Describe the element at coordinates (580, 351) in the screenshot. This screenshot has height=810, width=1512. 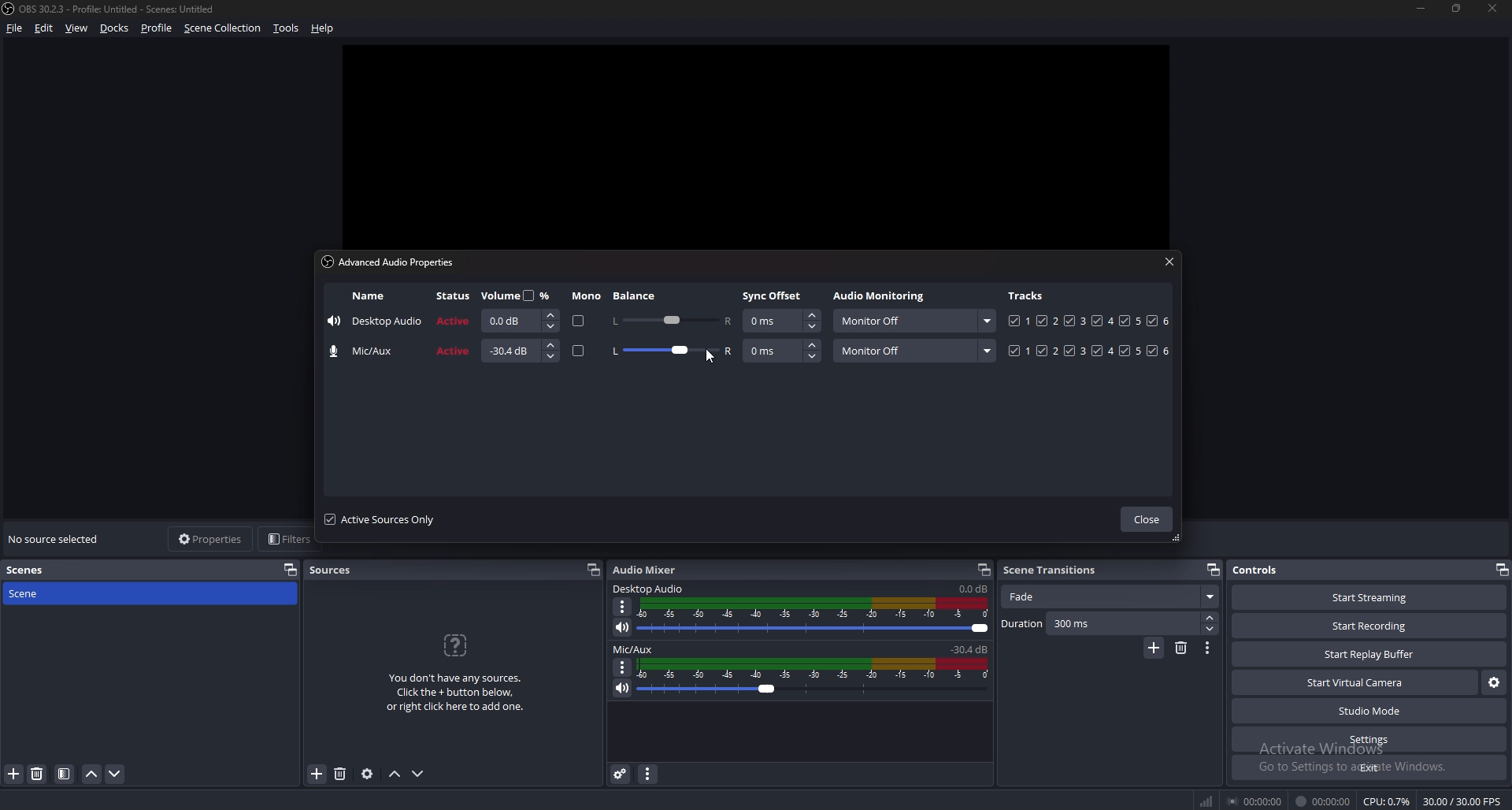
I see `mono` at that location.